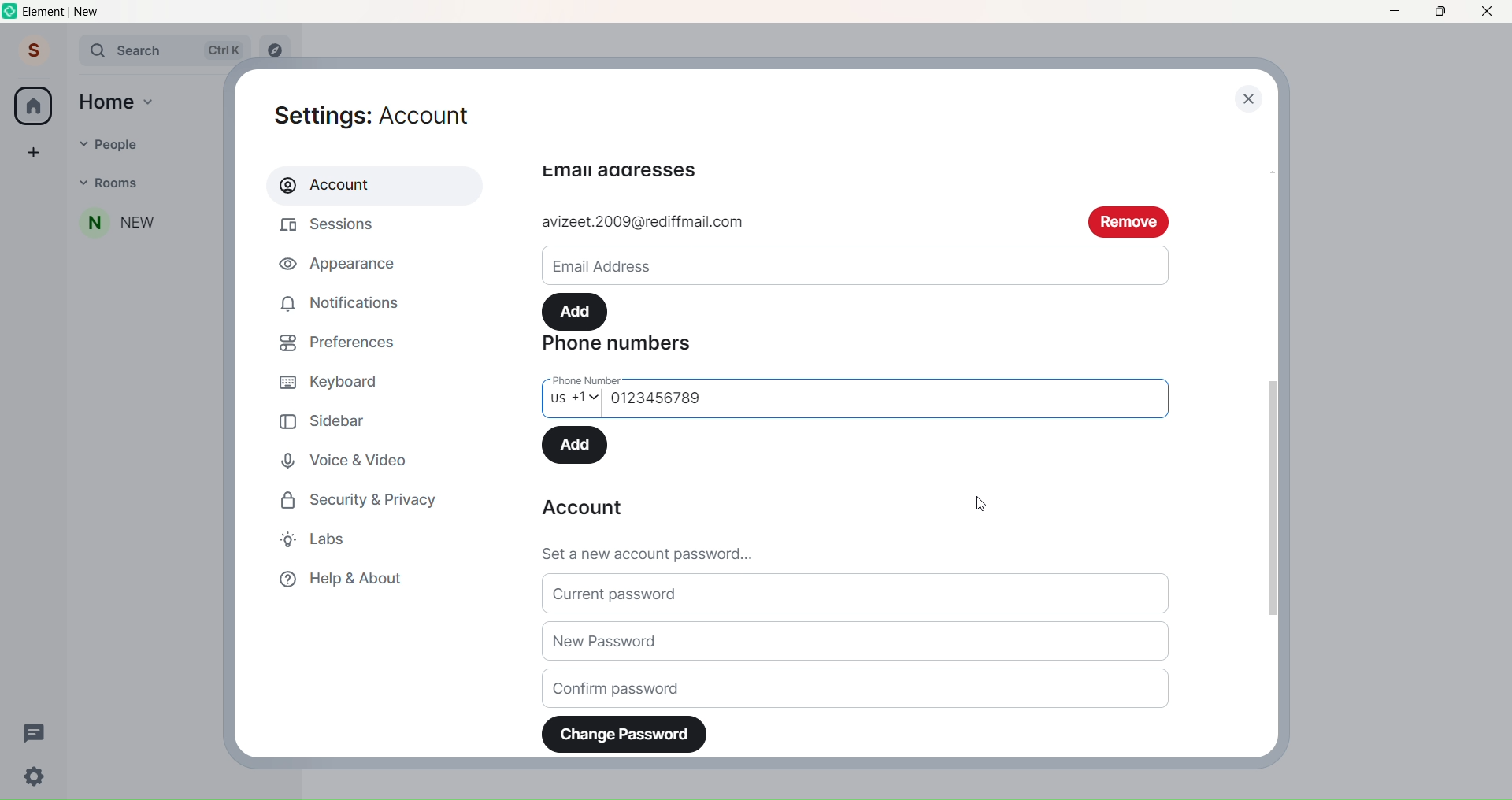 The width and height of the screenshot is (1512, 800). What do you see at coordinates (583, 509) in the screenshot?
I see `Account` at bounding box center [583, 509].